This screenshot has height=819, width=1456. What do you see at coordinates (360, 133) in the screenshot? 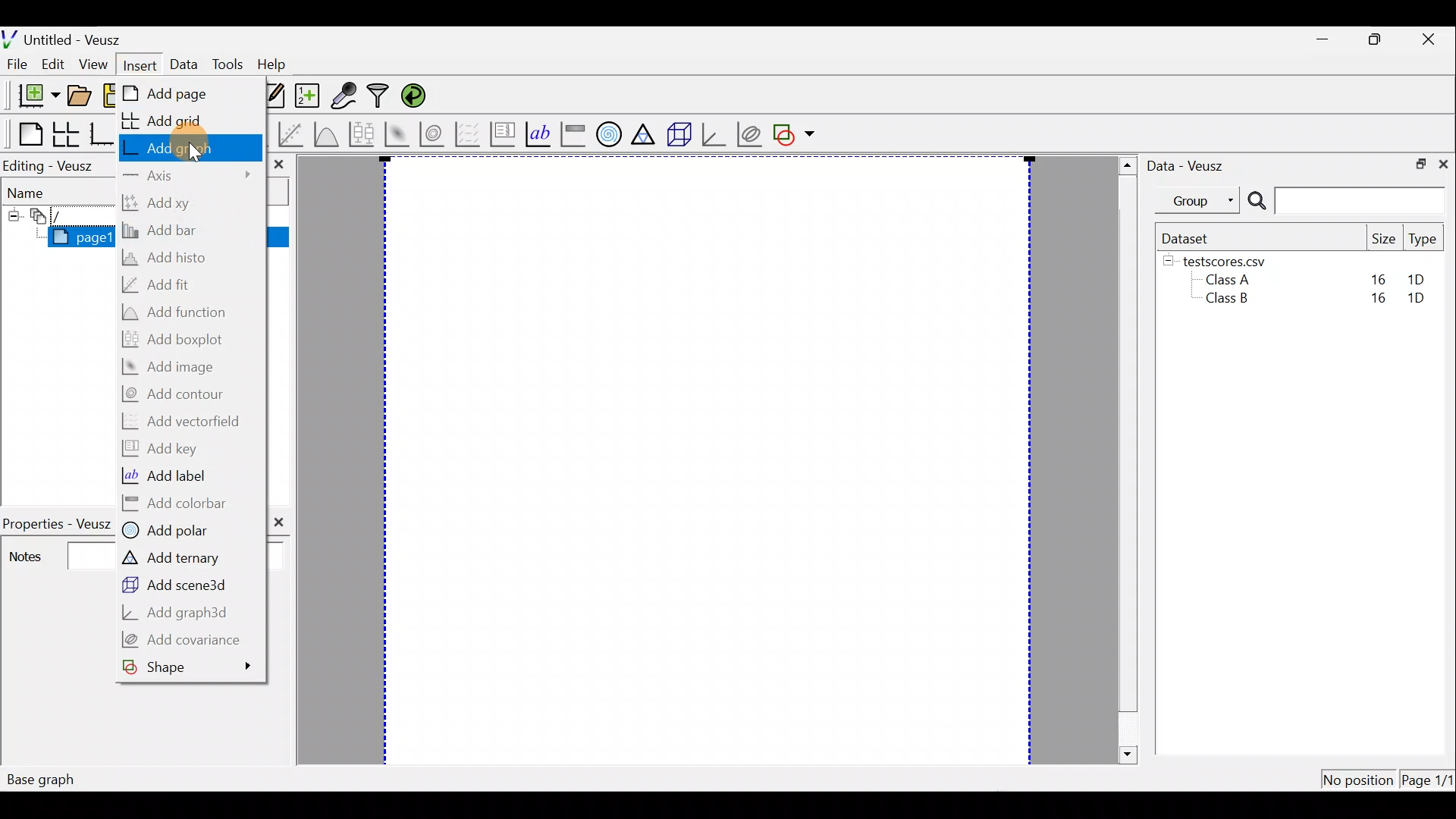
I see `Plot box plots` at bounding box center [360, 133].